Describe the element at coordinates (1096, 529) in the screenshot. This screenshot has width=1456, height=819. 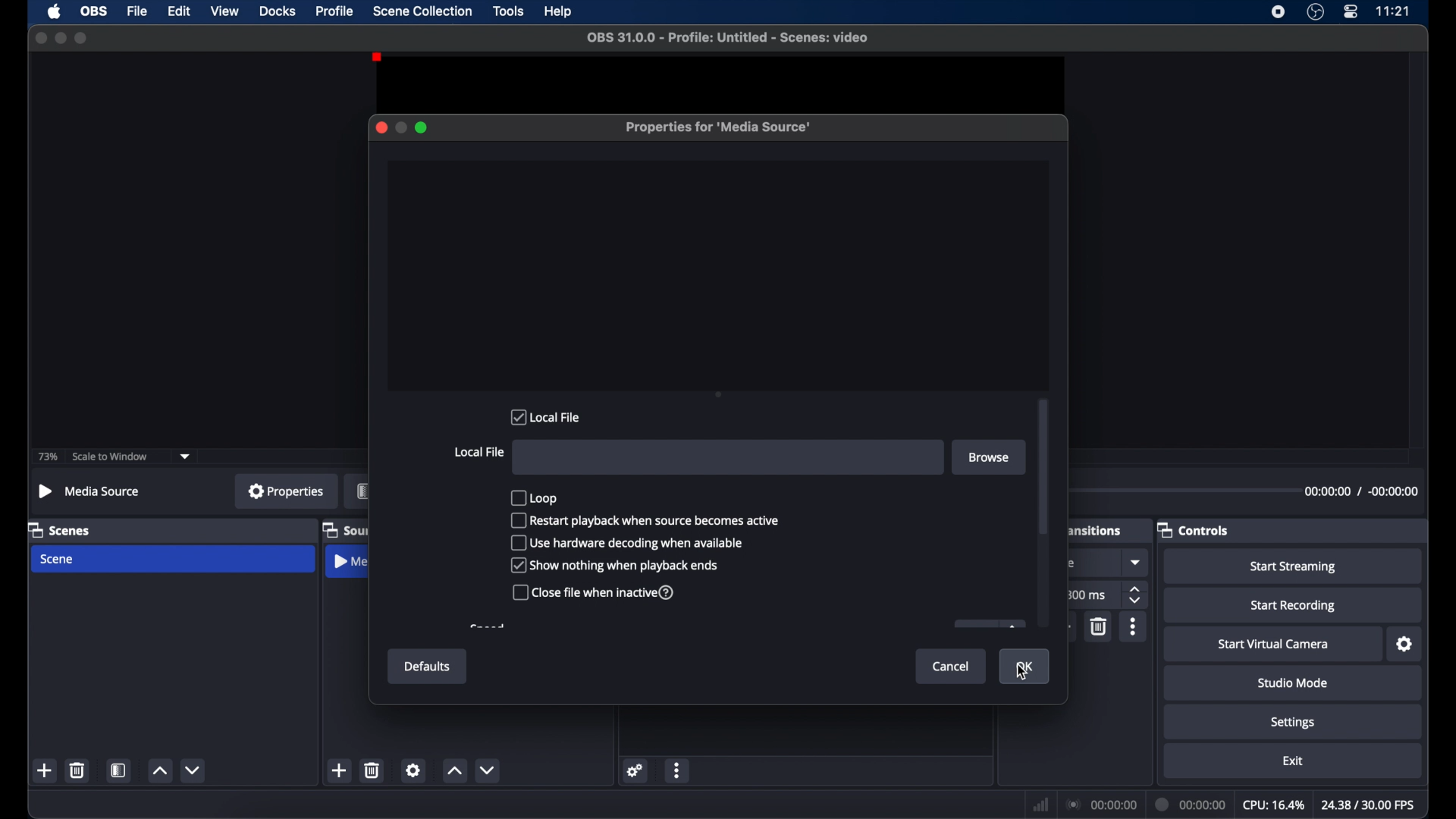
I see `obscure text` at that location.